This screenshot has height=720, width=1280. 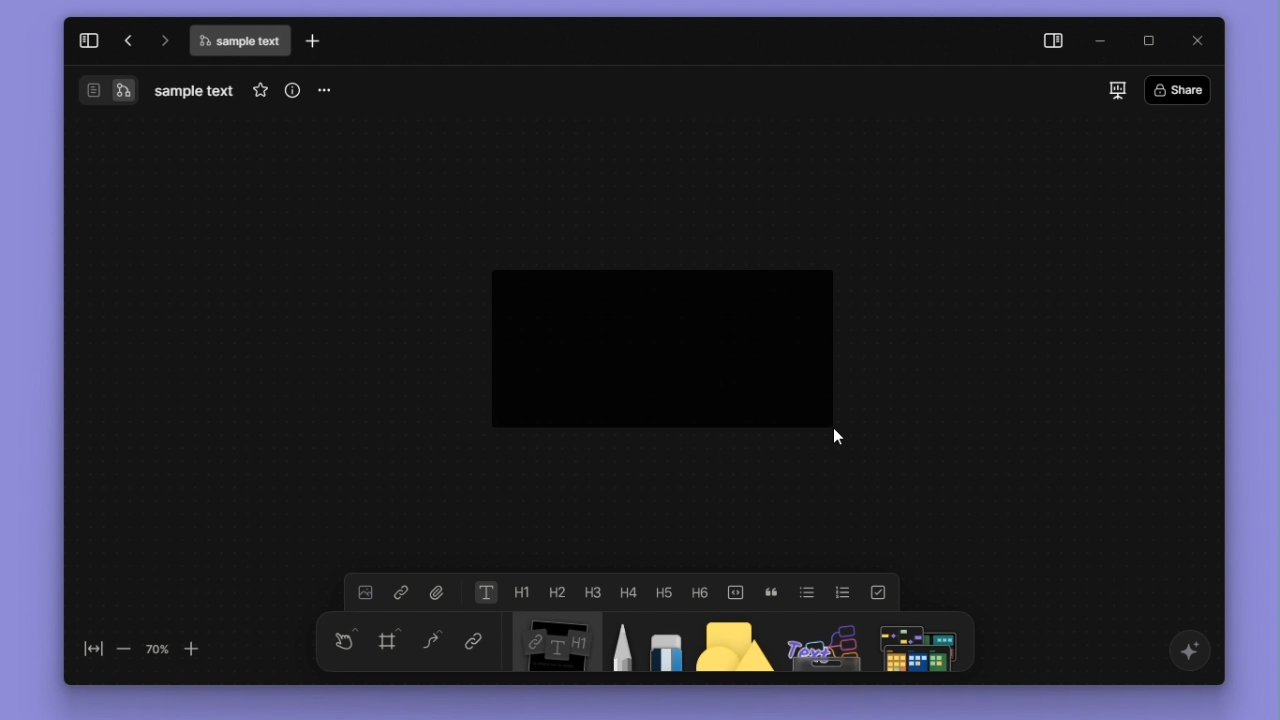 What do you see at coordinates (437, 592) in the screenshot?
I see `file` at bounding box center [437, 592].